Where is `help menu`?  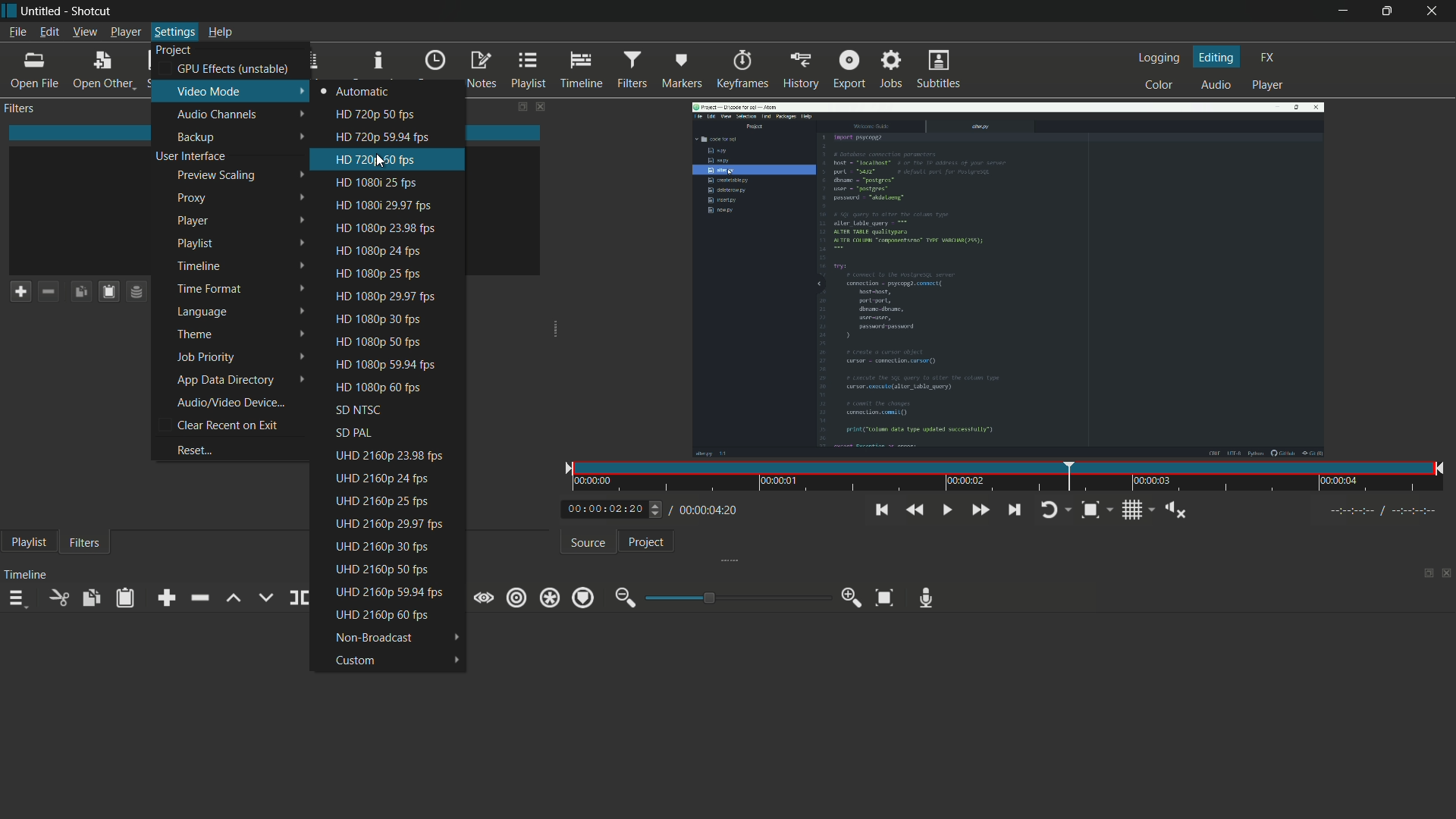
help menu is located at coordinates (221, 33).